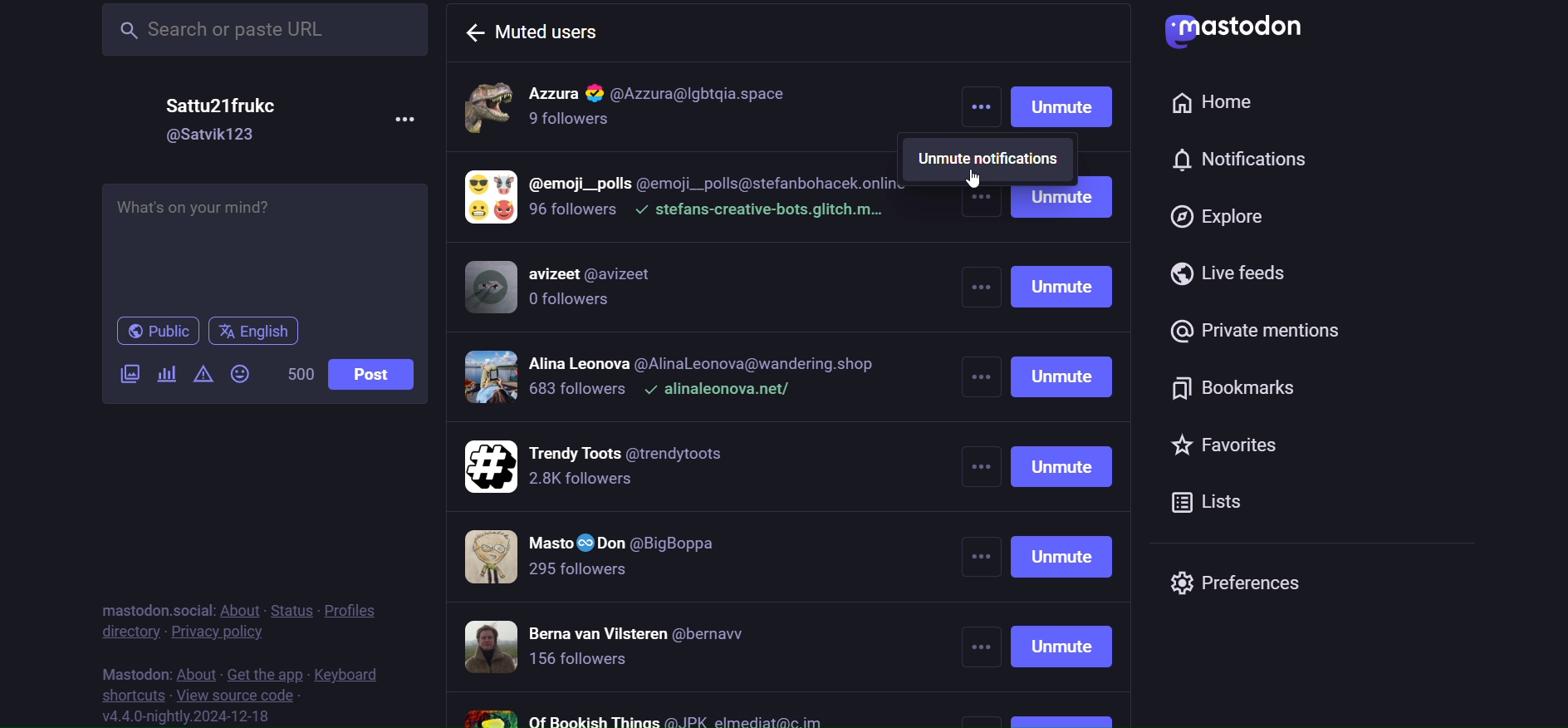 The width and height of the screenshot is (1568, 728). What do you see at coordinates (1251, 582) in the screenshot?
I see `preferences` at bounding box center [1251, 582].